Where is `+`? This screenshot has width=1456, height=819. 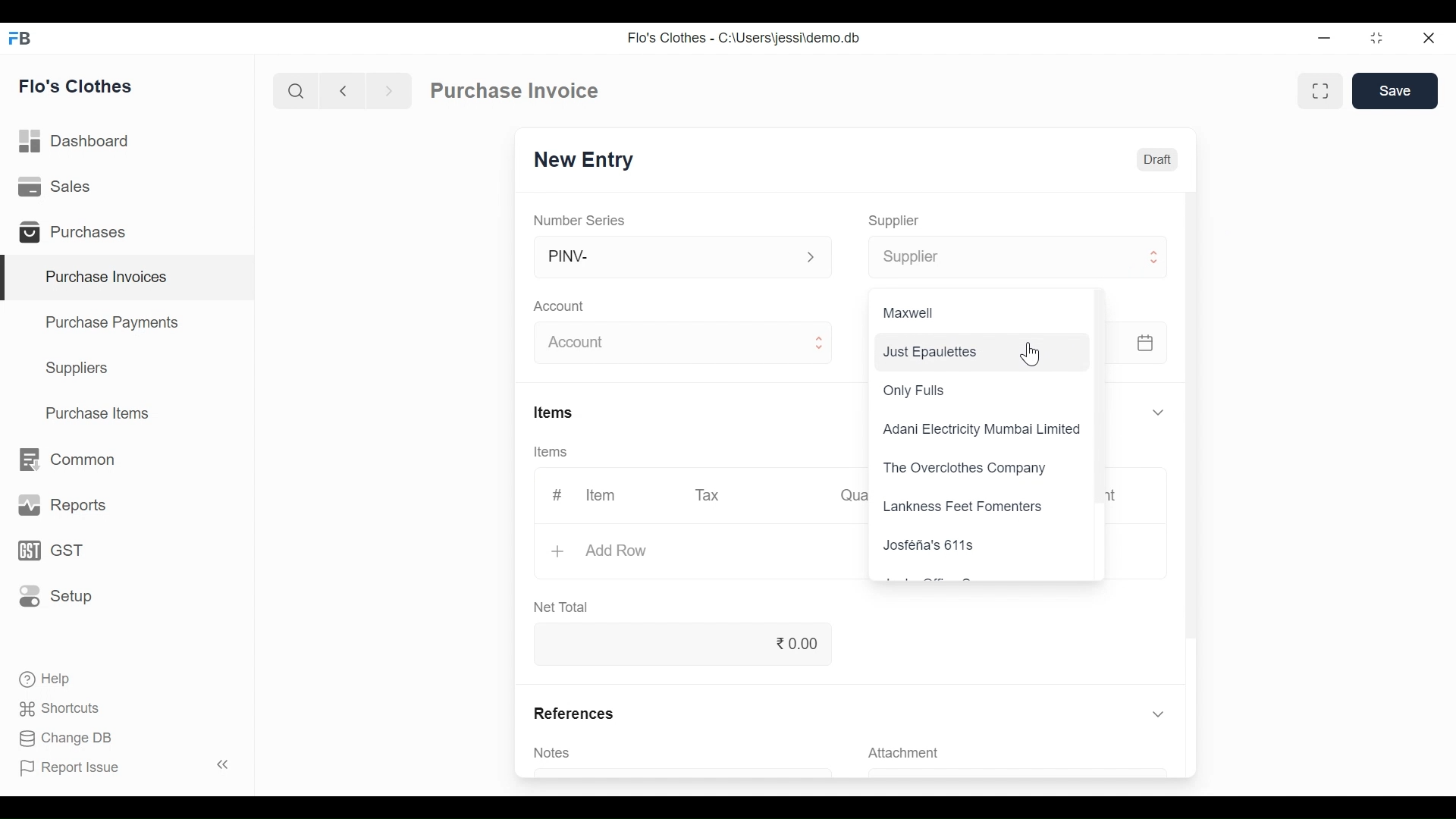 + is located at coordinates (560, 551).